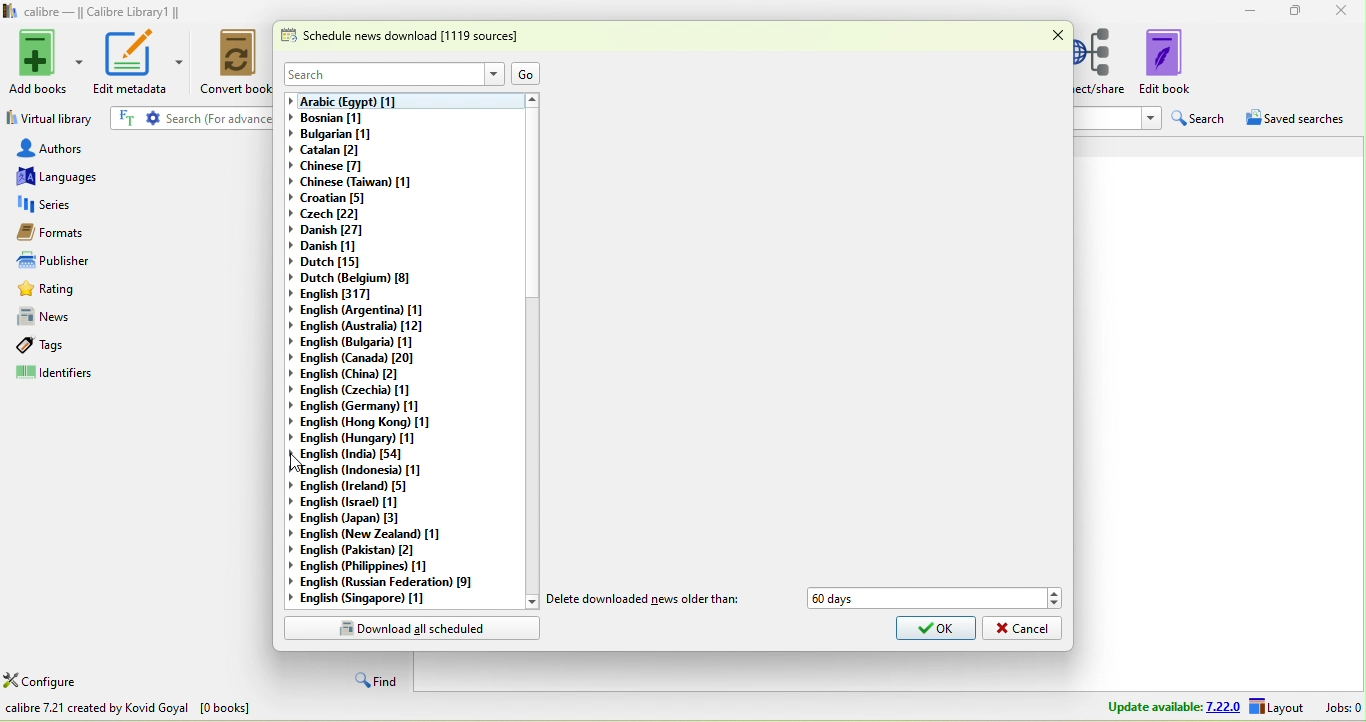 This screenshot has width=1366, height=722. Describe the element at coordinates (936, 628) in the screenshot. I see `ok` at that location.